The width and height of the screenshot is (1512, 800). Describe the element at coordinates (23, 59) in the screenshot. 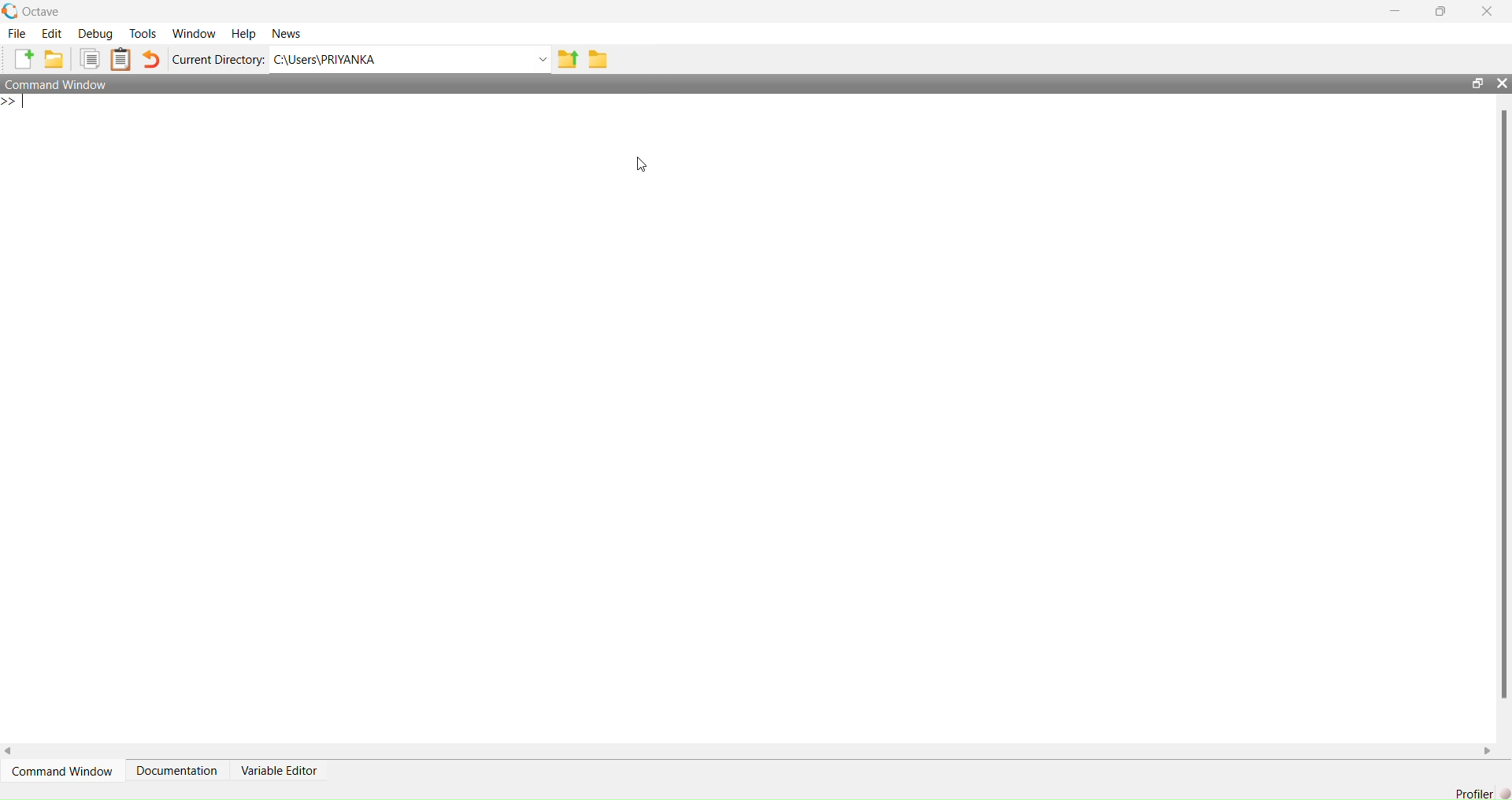

I see `add file` at that location.